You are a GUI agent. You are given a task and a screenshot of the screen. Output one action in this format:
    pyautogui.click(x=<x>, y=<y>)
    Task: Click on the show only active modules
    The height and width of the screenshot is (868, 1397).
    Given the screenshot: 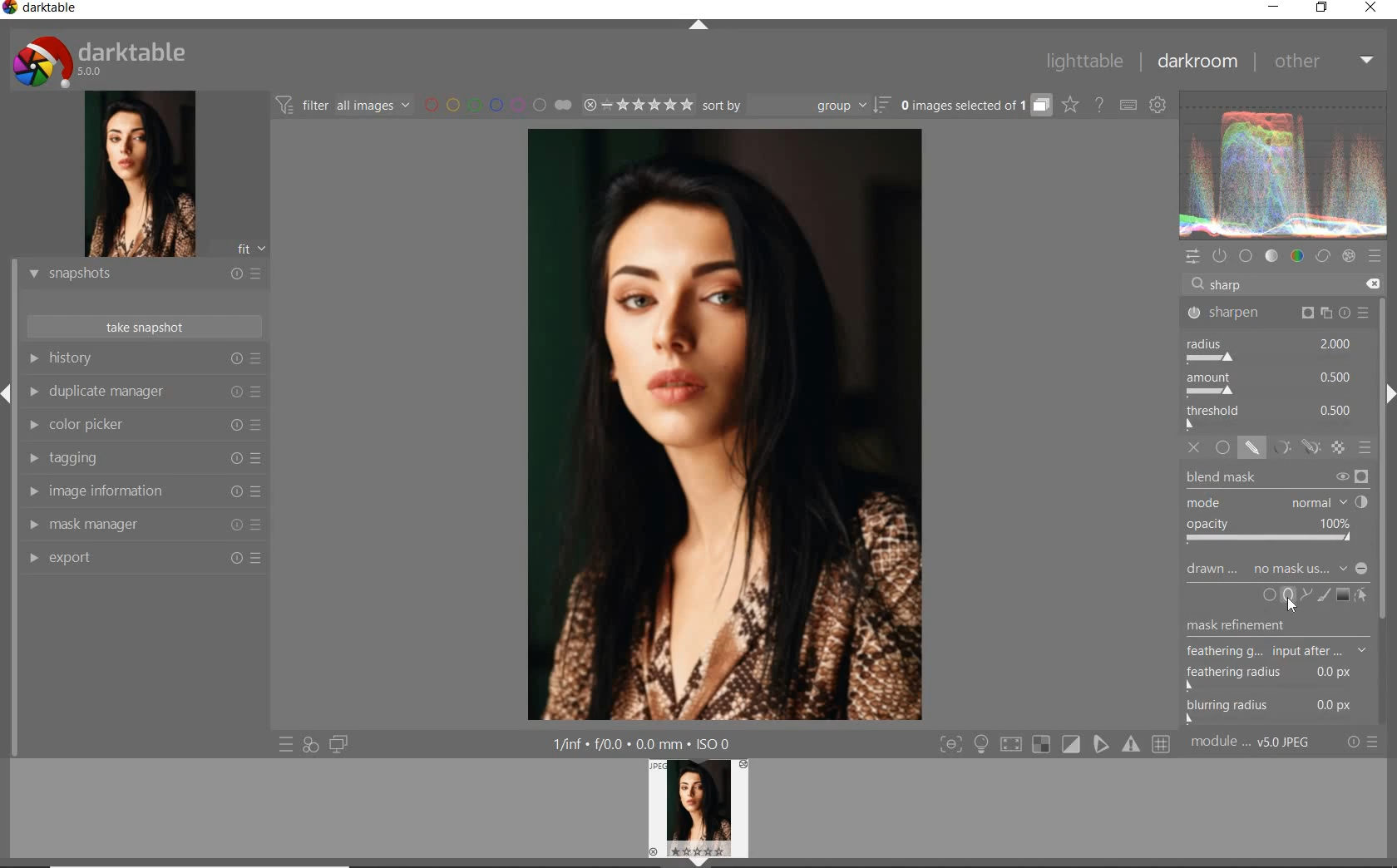 What is the action you would take?
    pyautogui.click(x=1222, y=255)
    